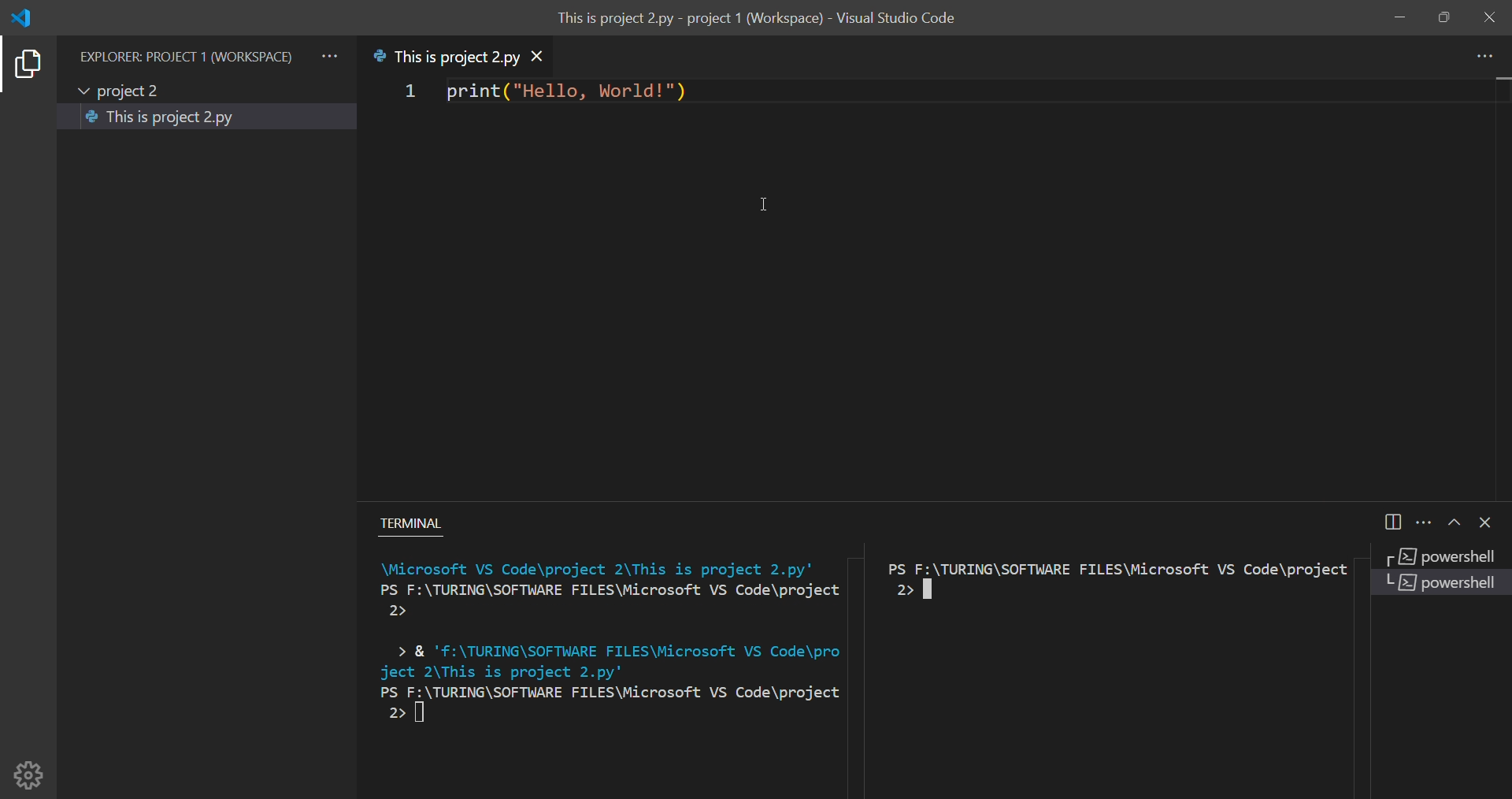 This screenshot has width=1512, height=799. I want to click on 1, so click(398, 93).